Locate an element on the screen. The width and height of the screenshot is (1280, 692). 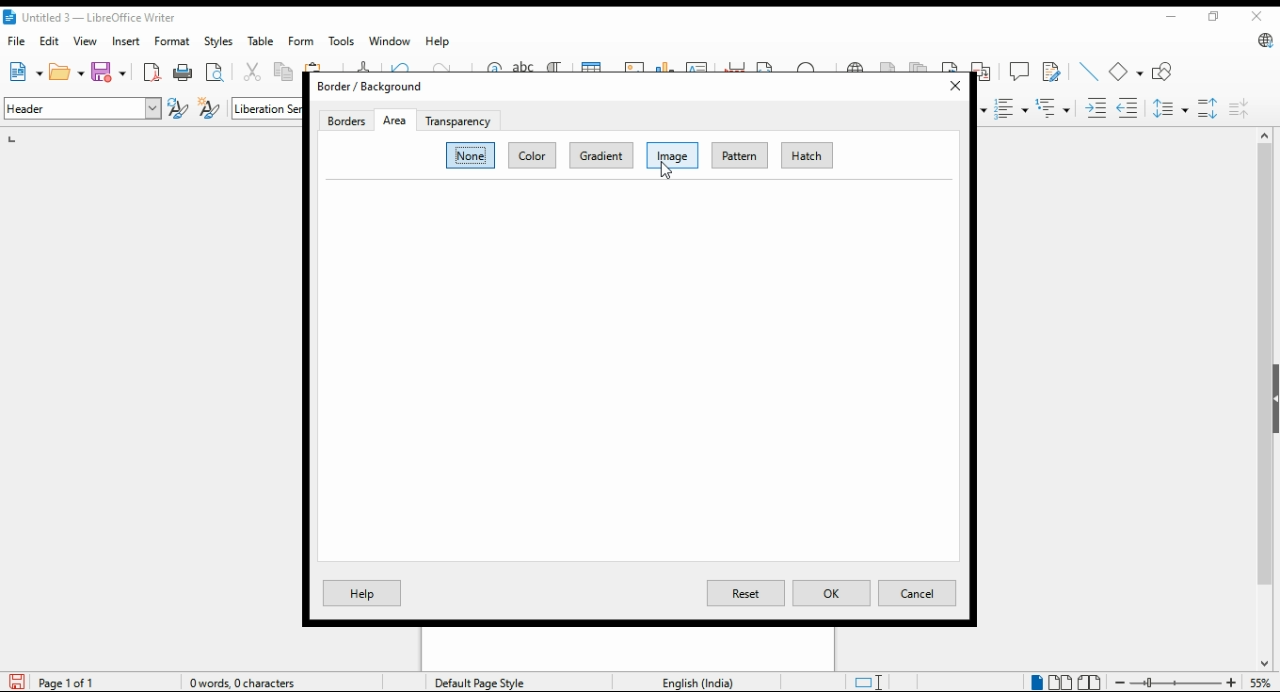
paste is located at coordinates (322, 66).